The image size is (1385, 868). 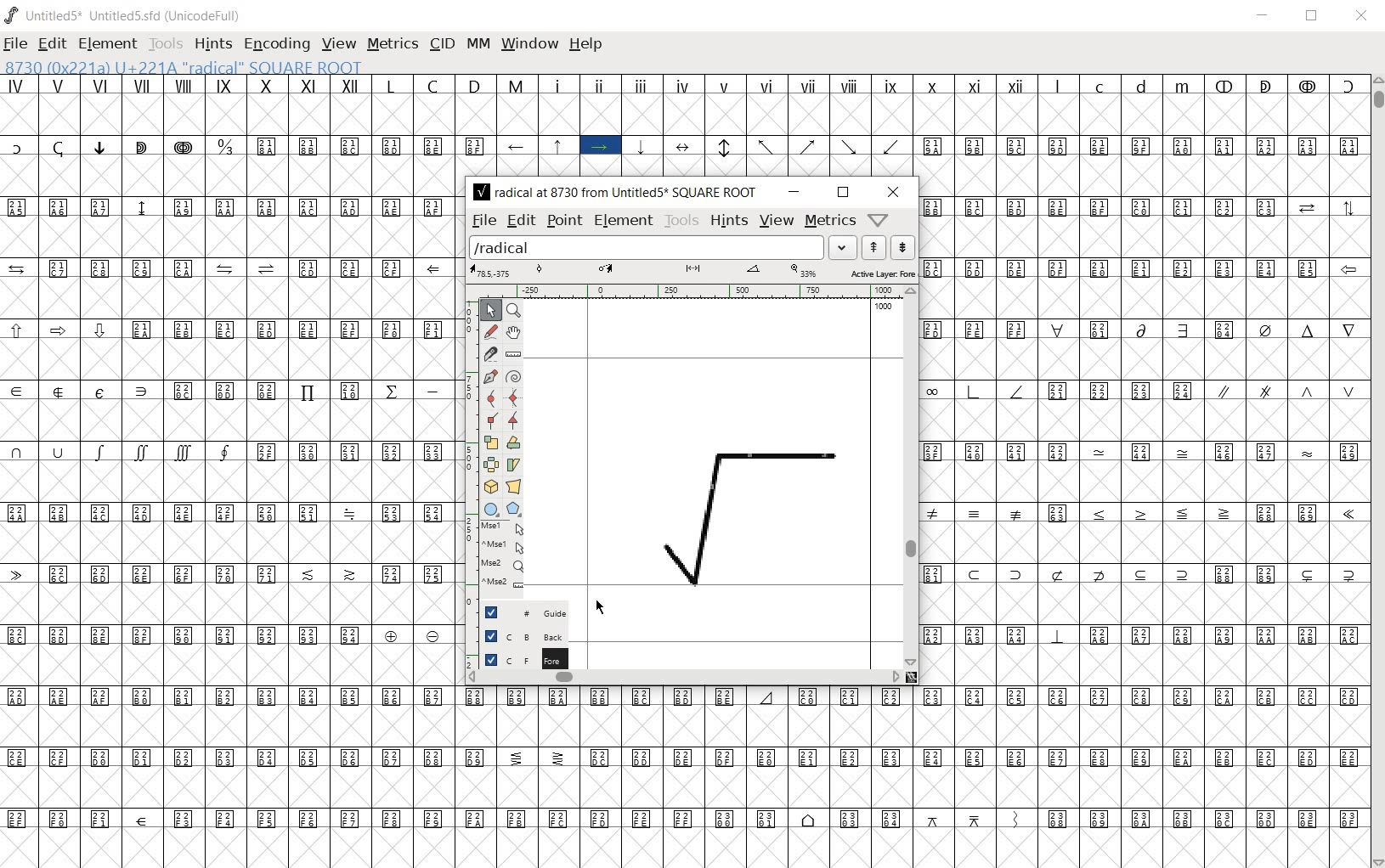 I want to click on close, so click(x=895, y=192).